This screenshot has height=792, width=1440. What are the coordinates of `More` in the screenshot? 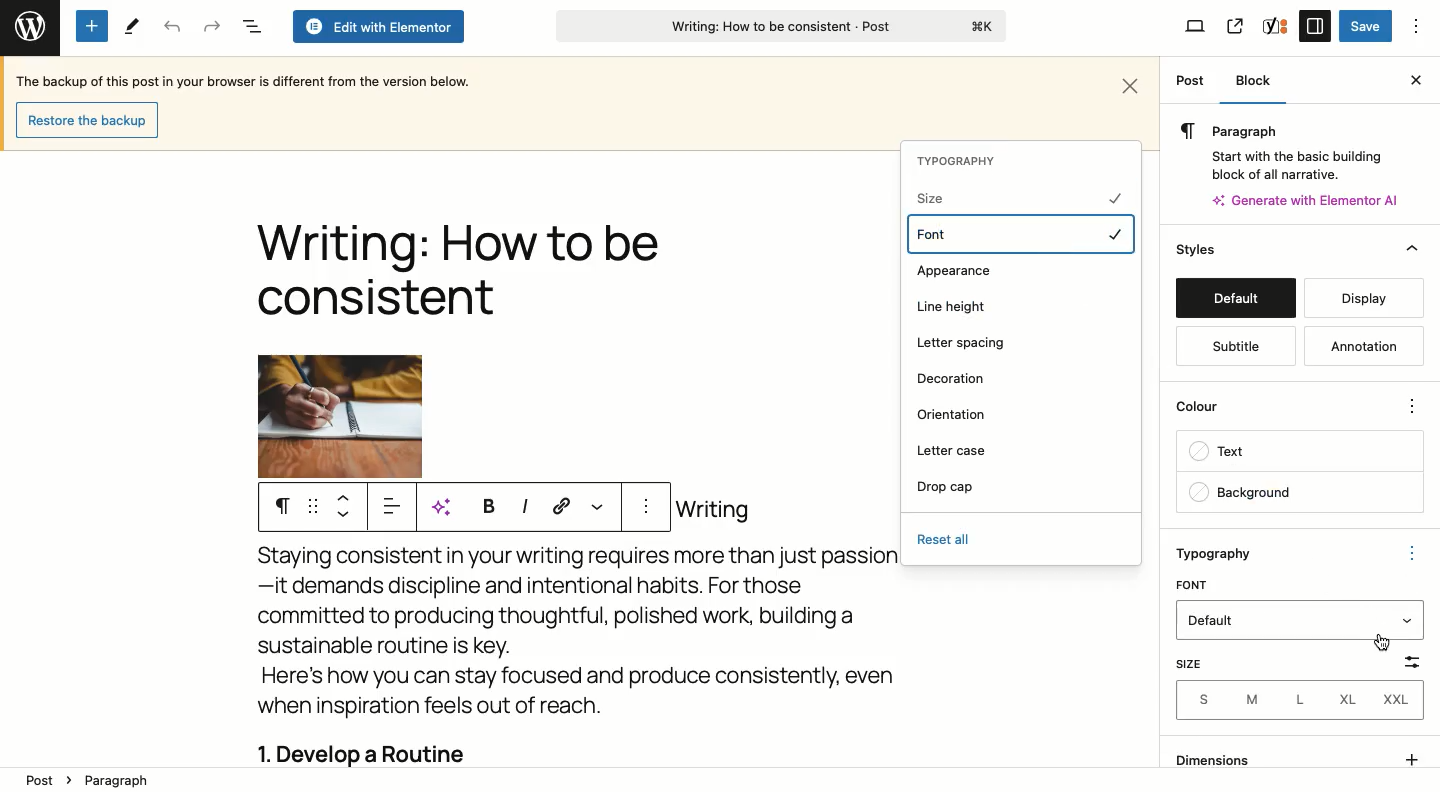 It's located at (596, 505).